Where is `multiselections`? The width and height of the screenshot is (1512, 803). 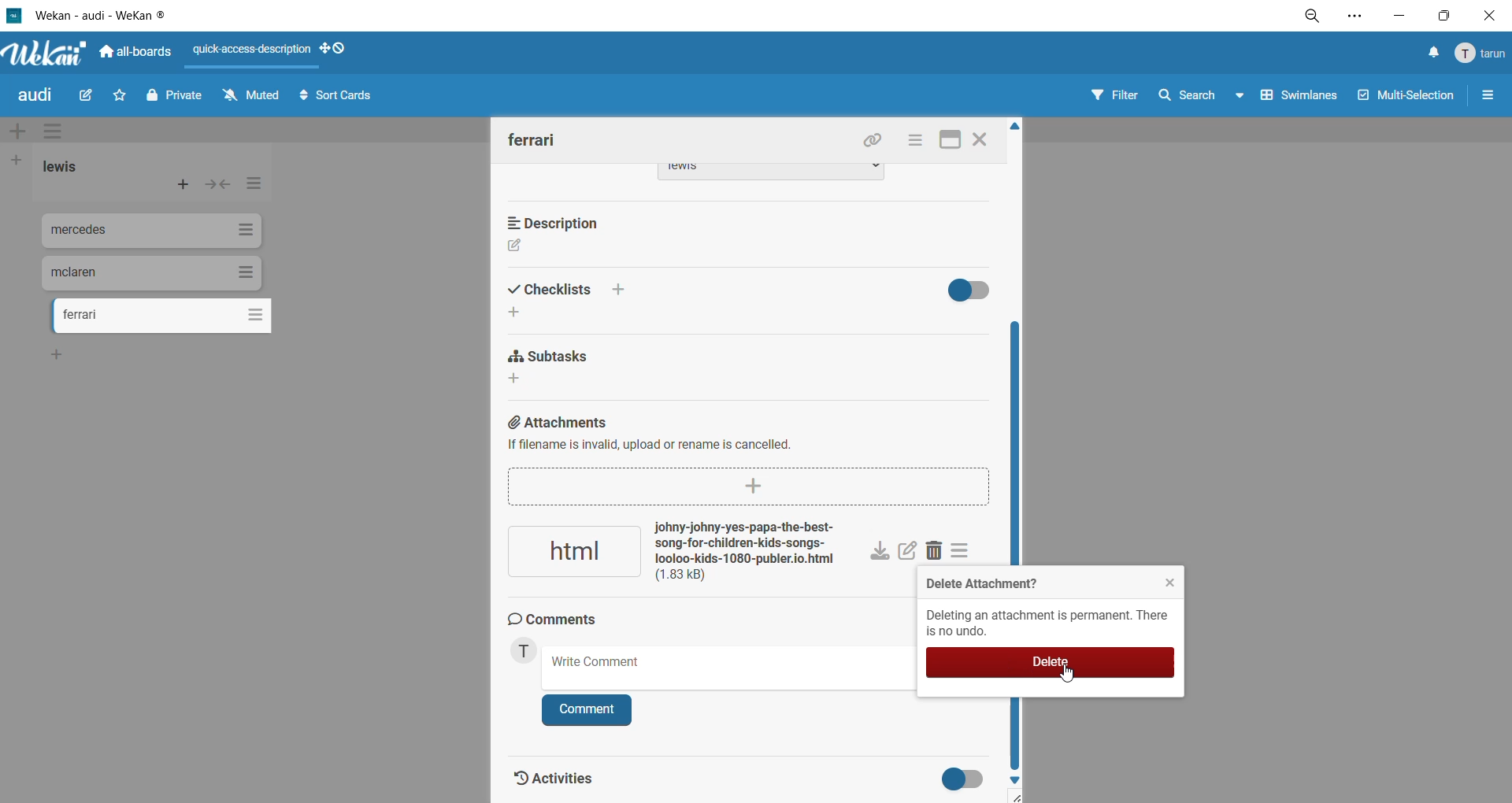
multiselections is located at coordinates (1403, 98).